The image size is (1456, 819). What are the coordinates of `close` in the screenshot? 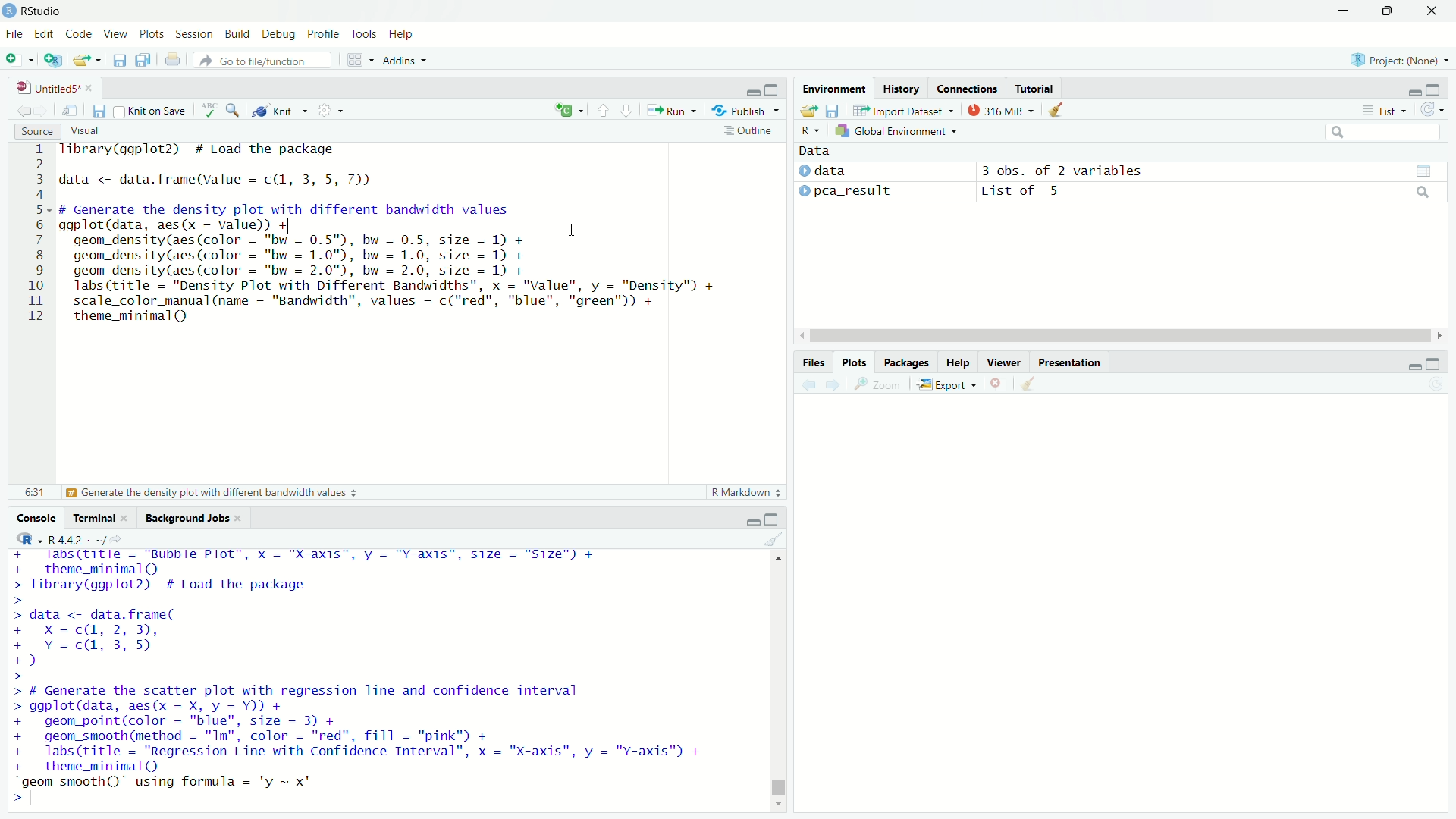 It's located at (1432, 11).